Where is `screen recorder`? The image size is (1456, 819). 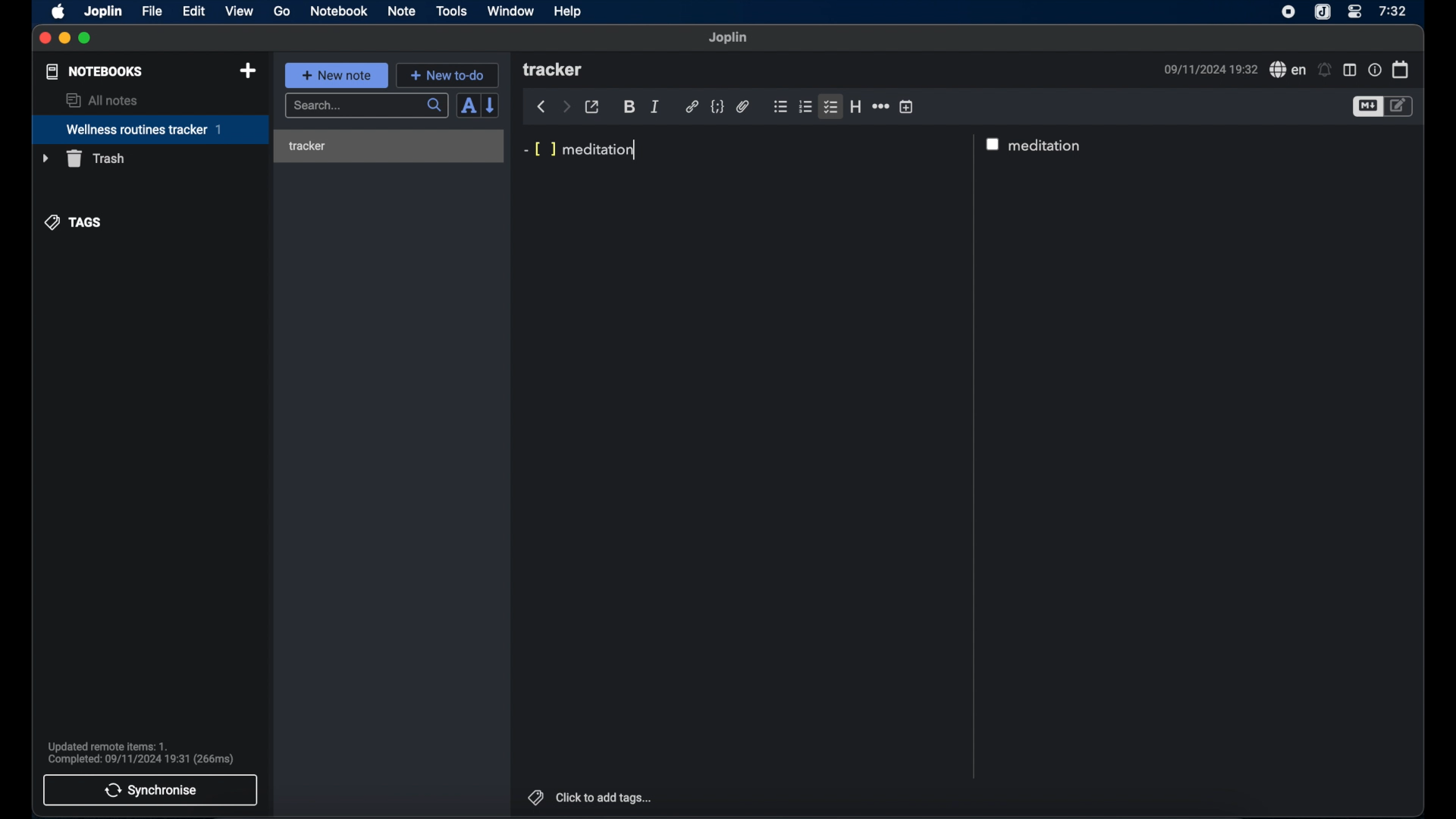
screen recorder is located at coordinates (1288, 11).